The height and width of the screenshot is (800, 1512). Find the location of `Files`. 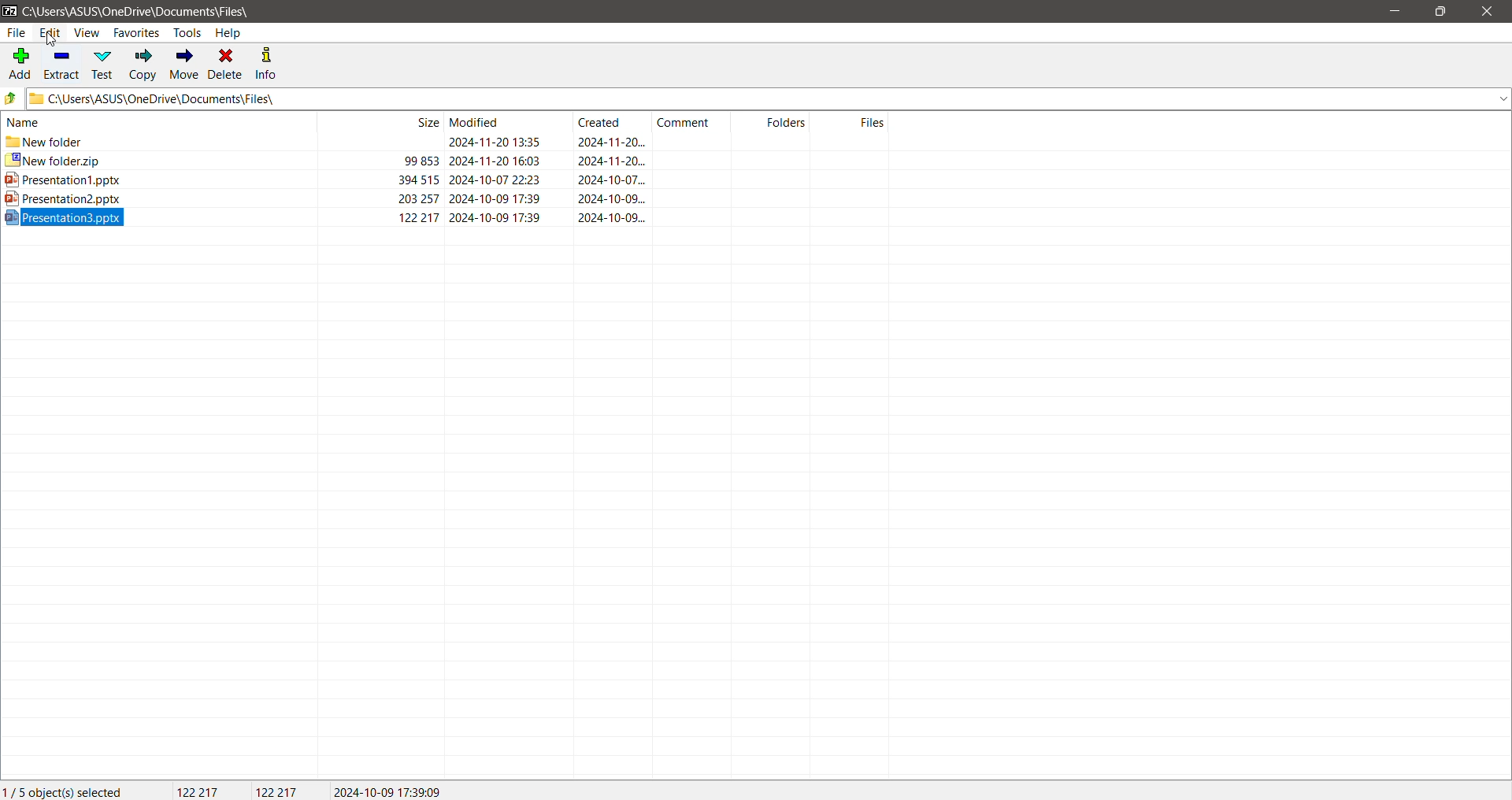

Files is located at coordinates (853, 122).